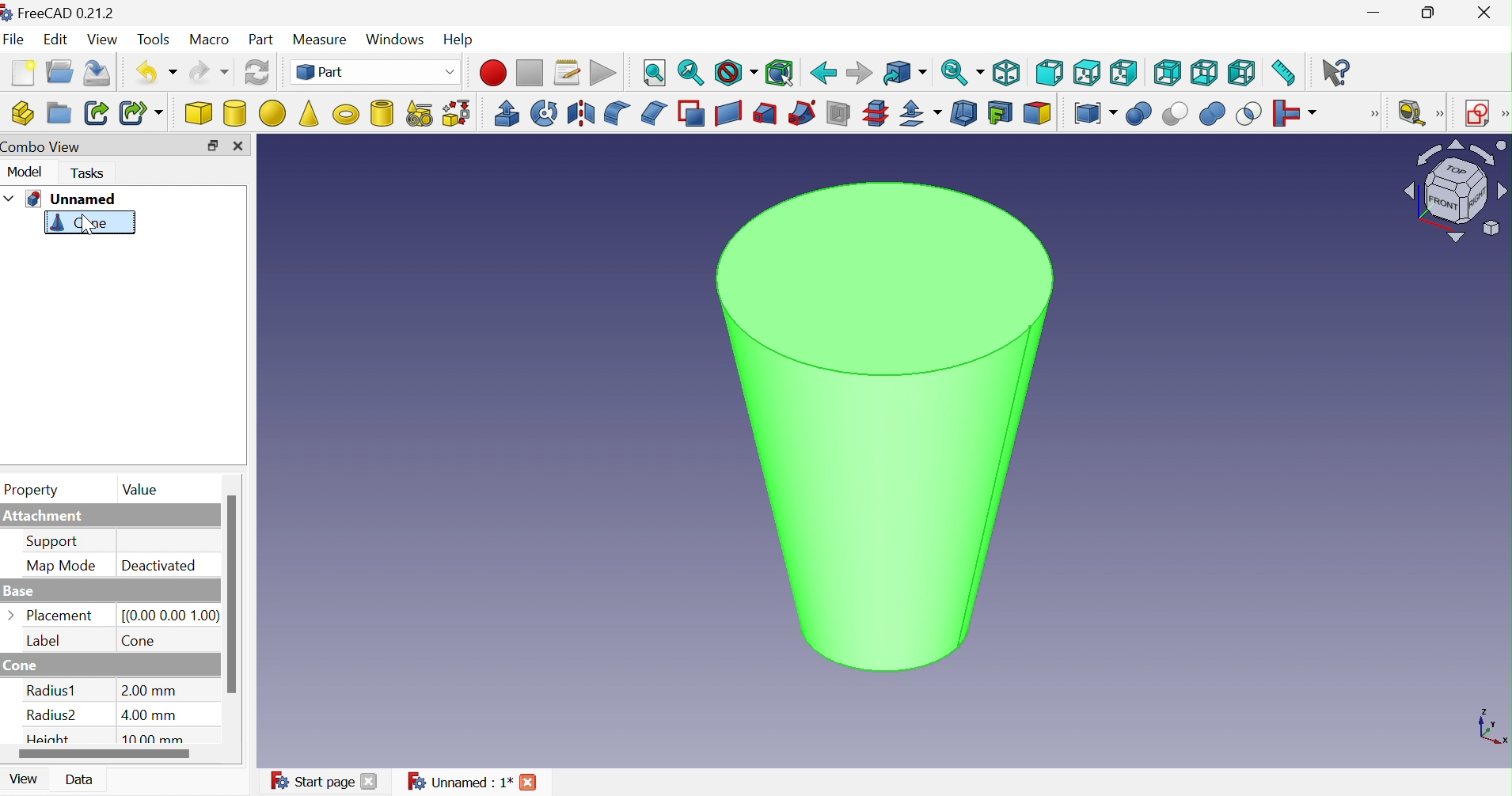 The height and width of the screenshot is (796, 1512). I want to click on Unnamed : 1*, so click(459, 780).